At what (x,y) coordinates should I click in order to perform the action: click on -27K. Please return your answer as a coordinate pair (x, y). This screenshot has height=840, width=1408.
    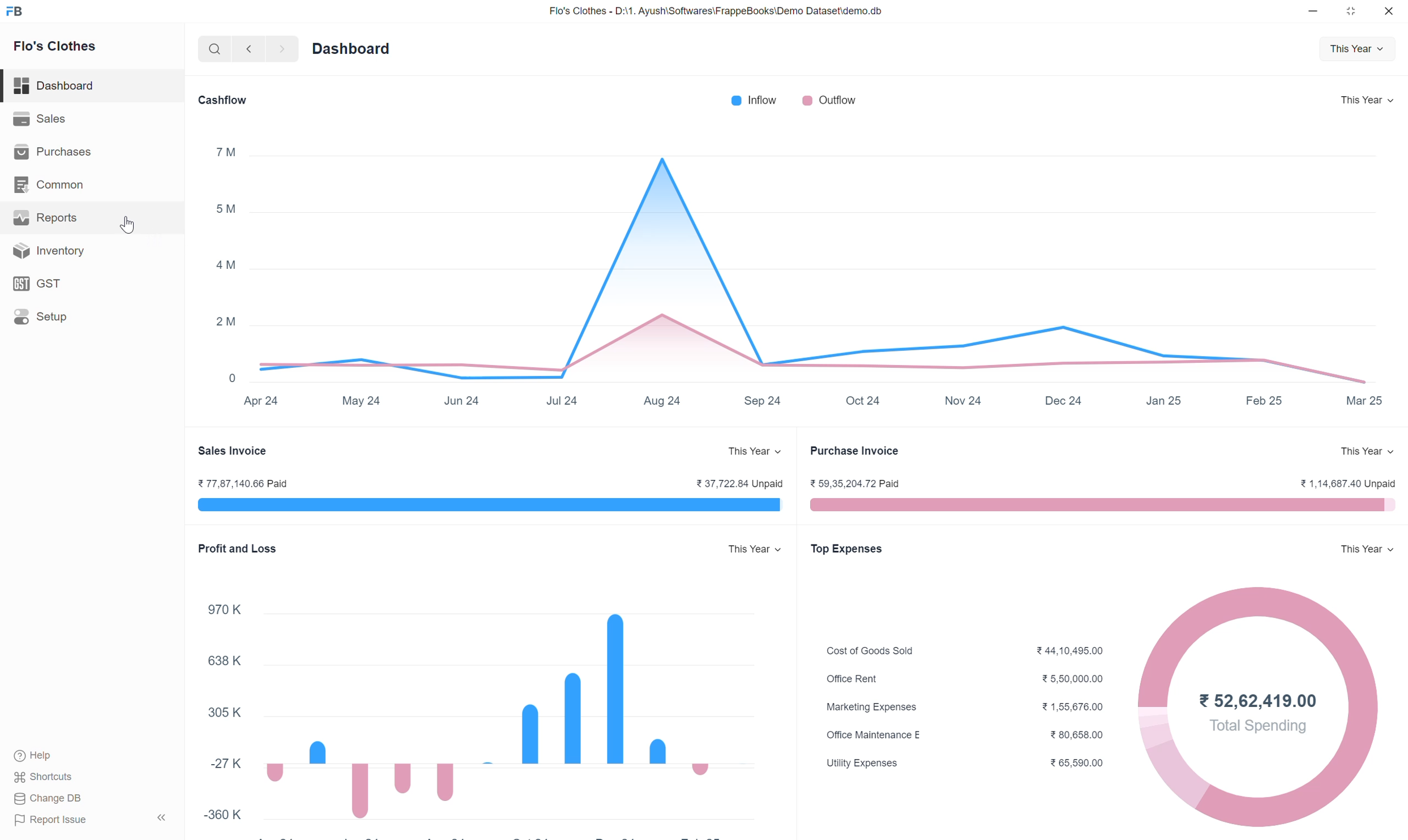
    Looking at the image, I should click on (228, 764).